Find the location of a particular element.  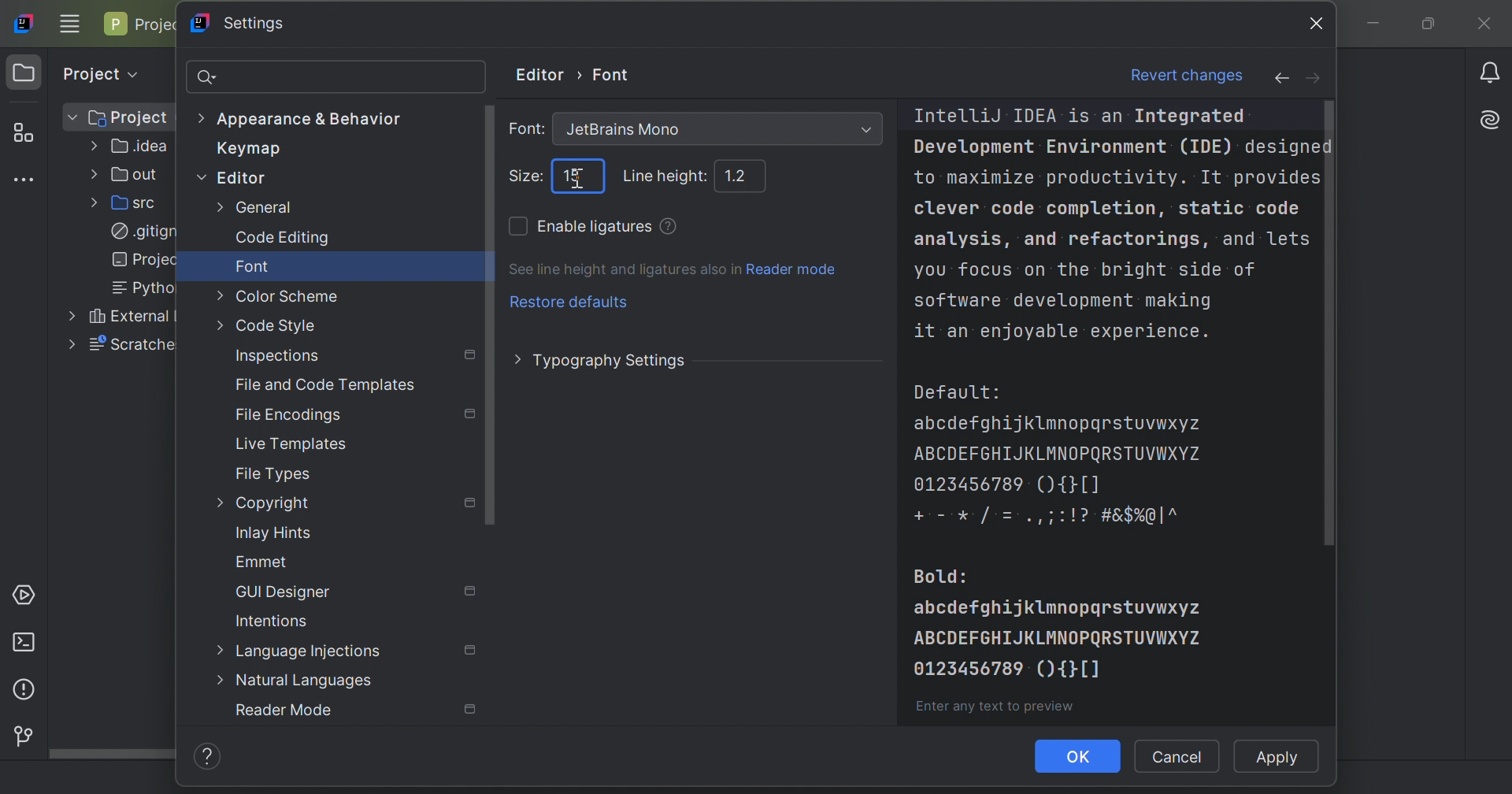

Help/info icon is located at coordinates (212, 757).